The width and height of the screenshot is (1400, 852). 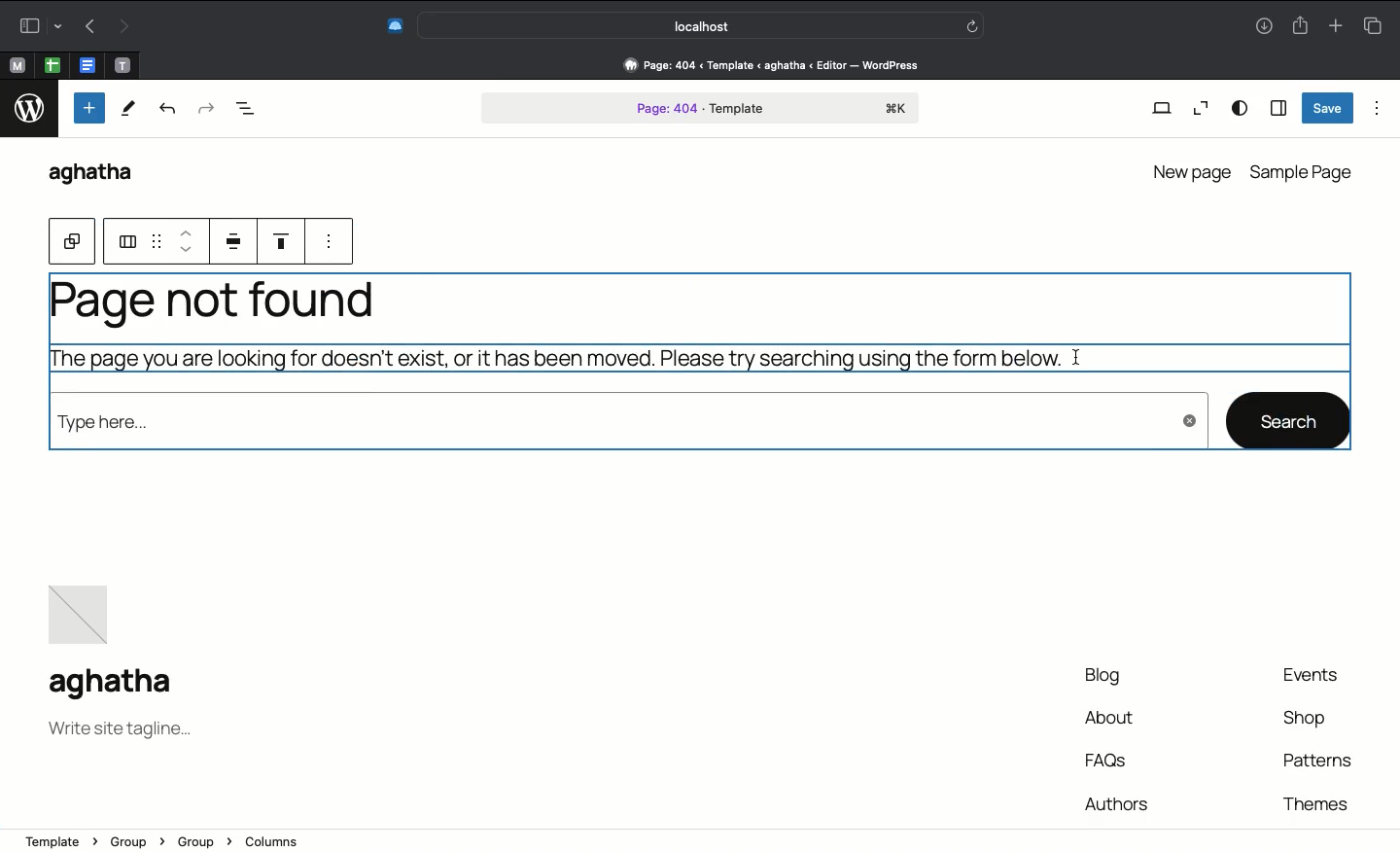 What do you see at coordinates (1110, 720) in the screenshot?
I see `About` at bounding box center [1110, 720].